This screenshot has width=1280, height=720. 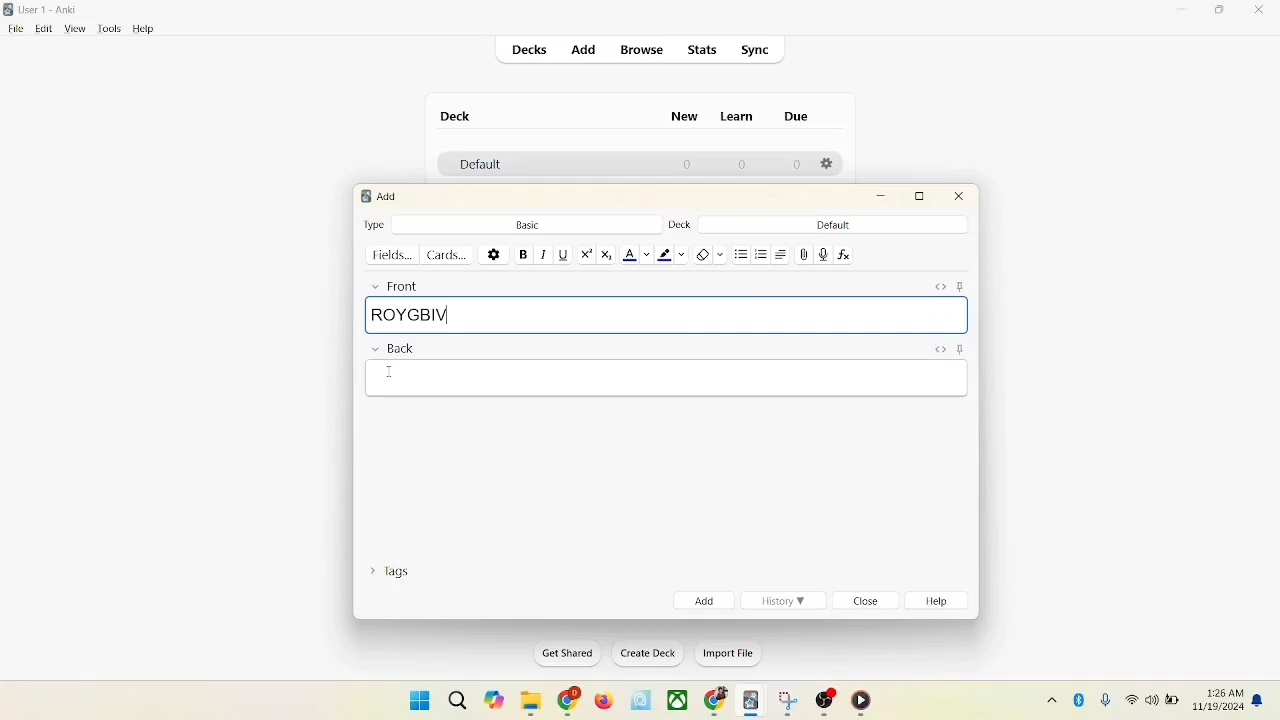 What do you see at coordinates (392, 285) in the screenshot?
I see `front` at bounding box center [392, 285].